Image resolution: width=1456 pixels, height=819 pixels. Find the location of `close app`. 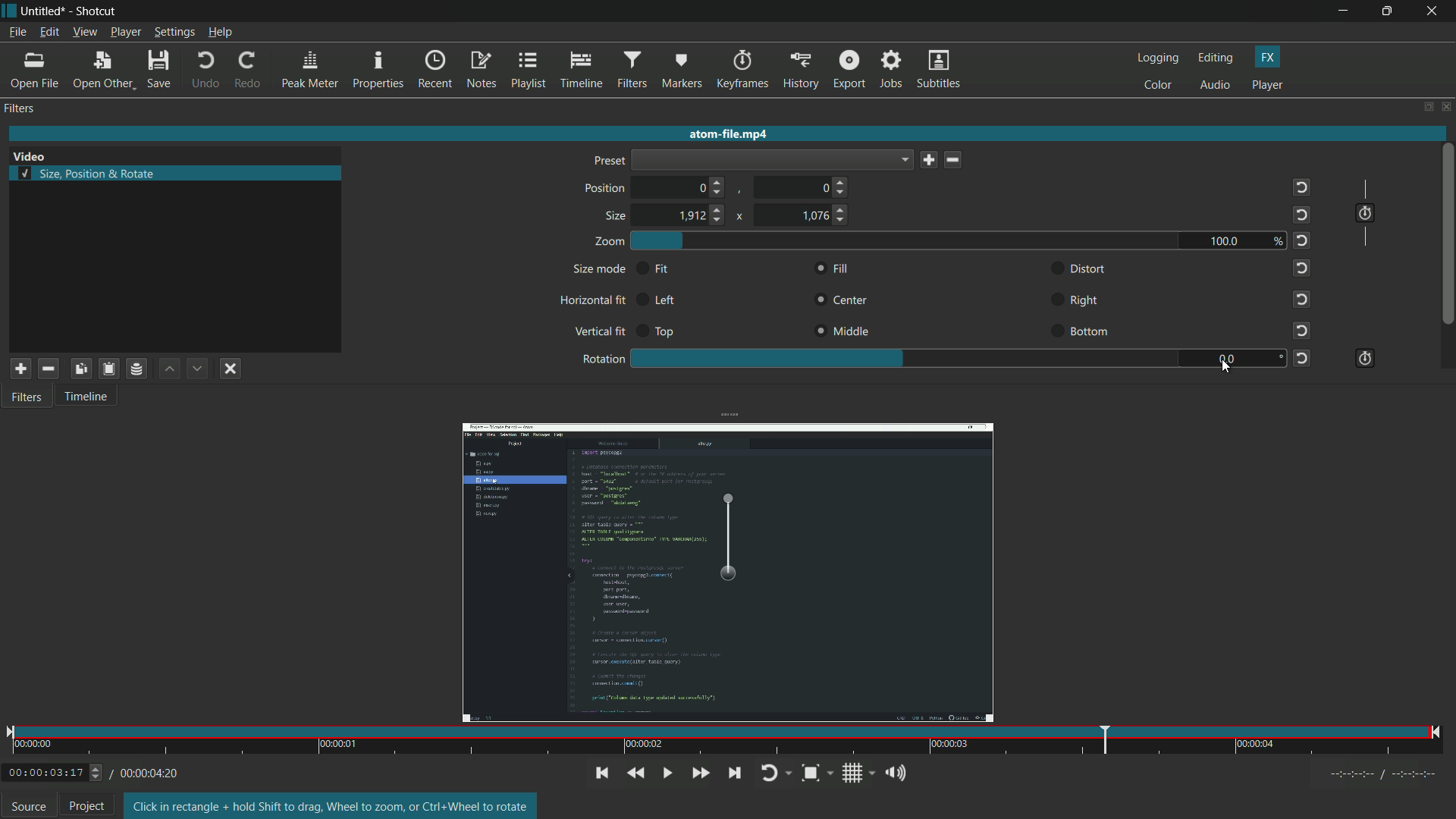

close app is located at coordinates (1436, 11).